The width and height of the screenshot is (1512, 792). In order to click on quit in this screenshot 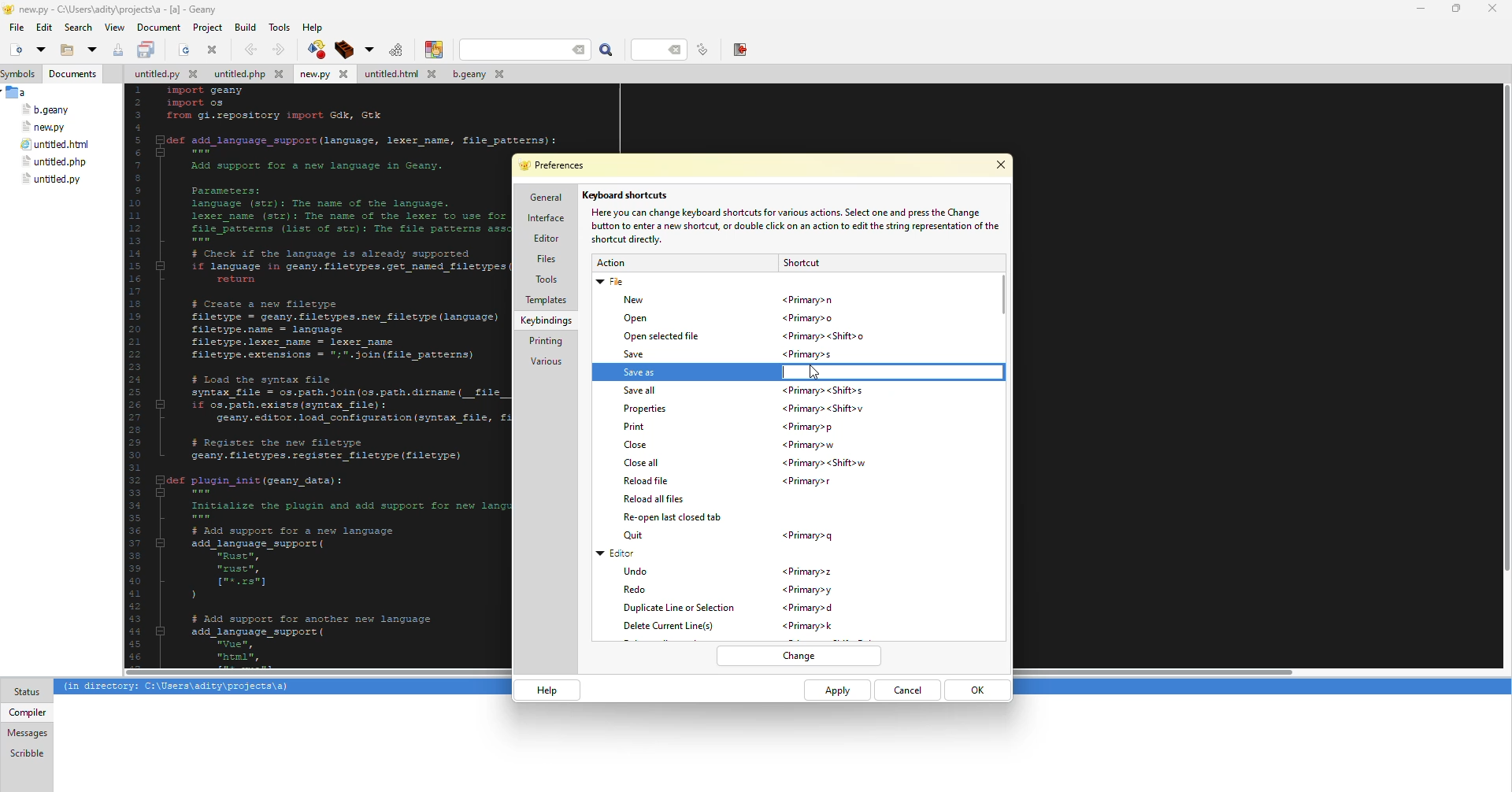, I will do `click(636, 535)`.